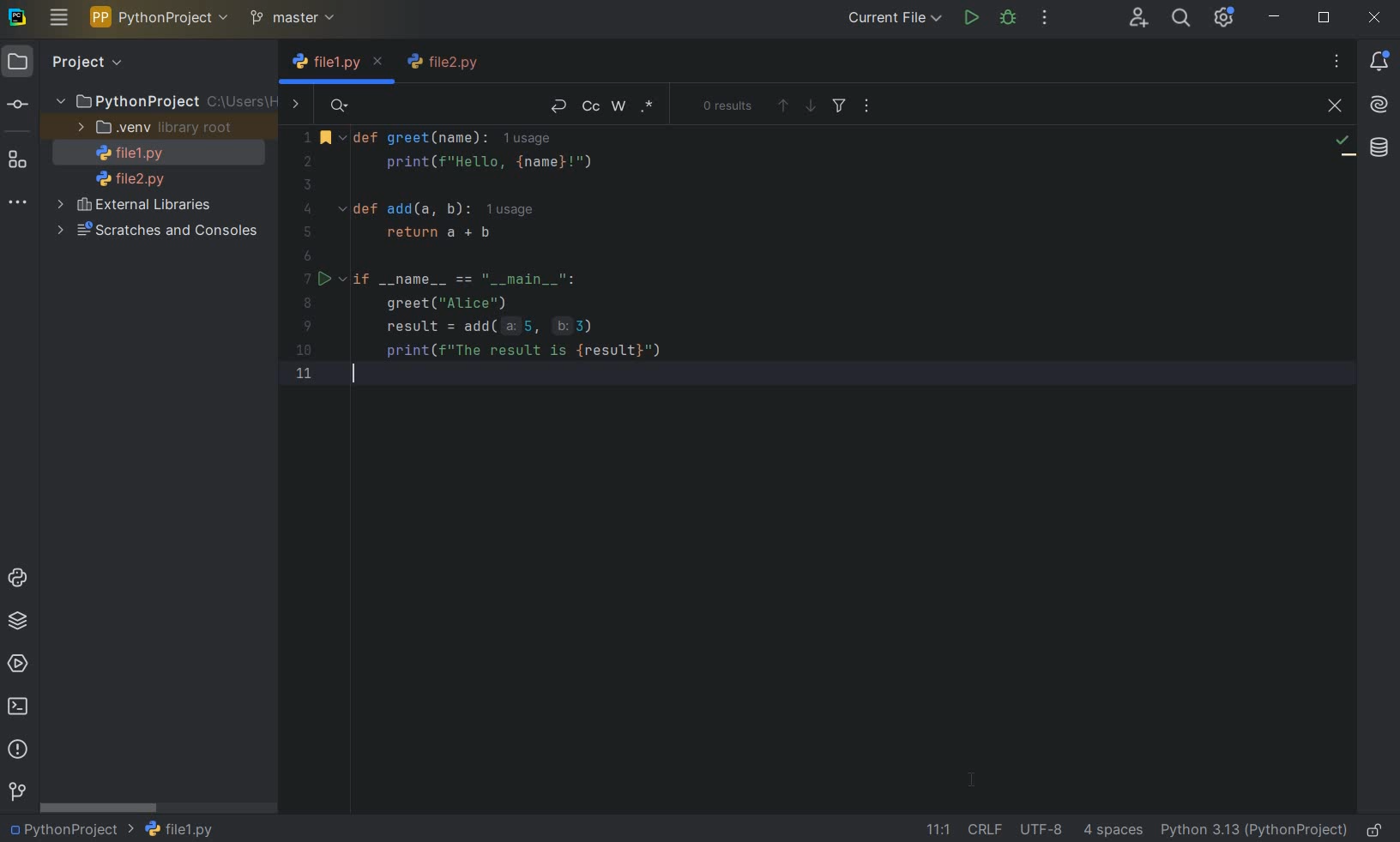  Describe the element at coordinates (838, 109) in the screenshot. I see `FILTER SEARCH RESULTS` at that location.